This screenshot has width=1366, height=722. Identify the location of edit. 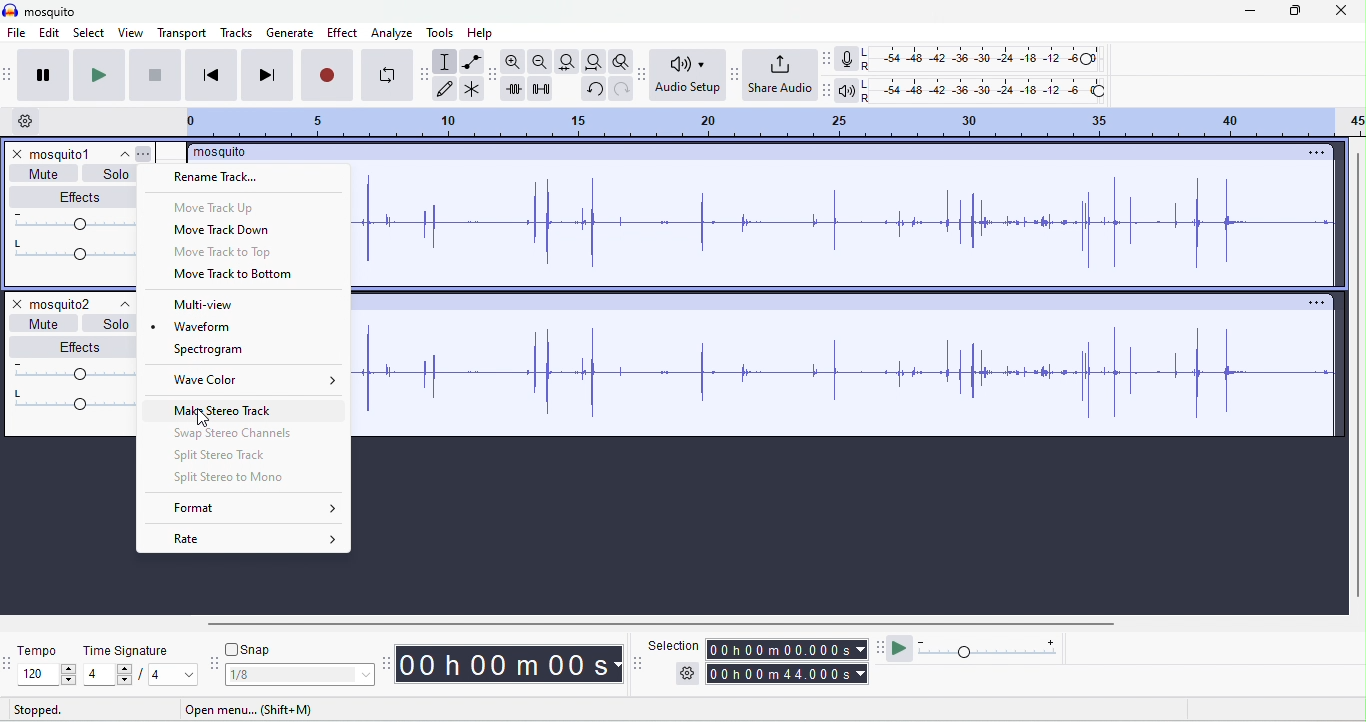
(49, 34).